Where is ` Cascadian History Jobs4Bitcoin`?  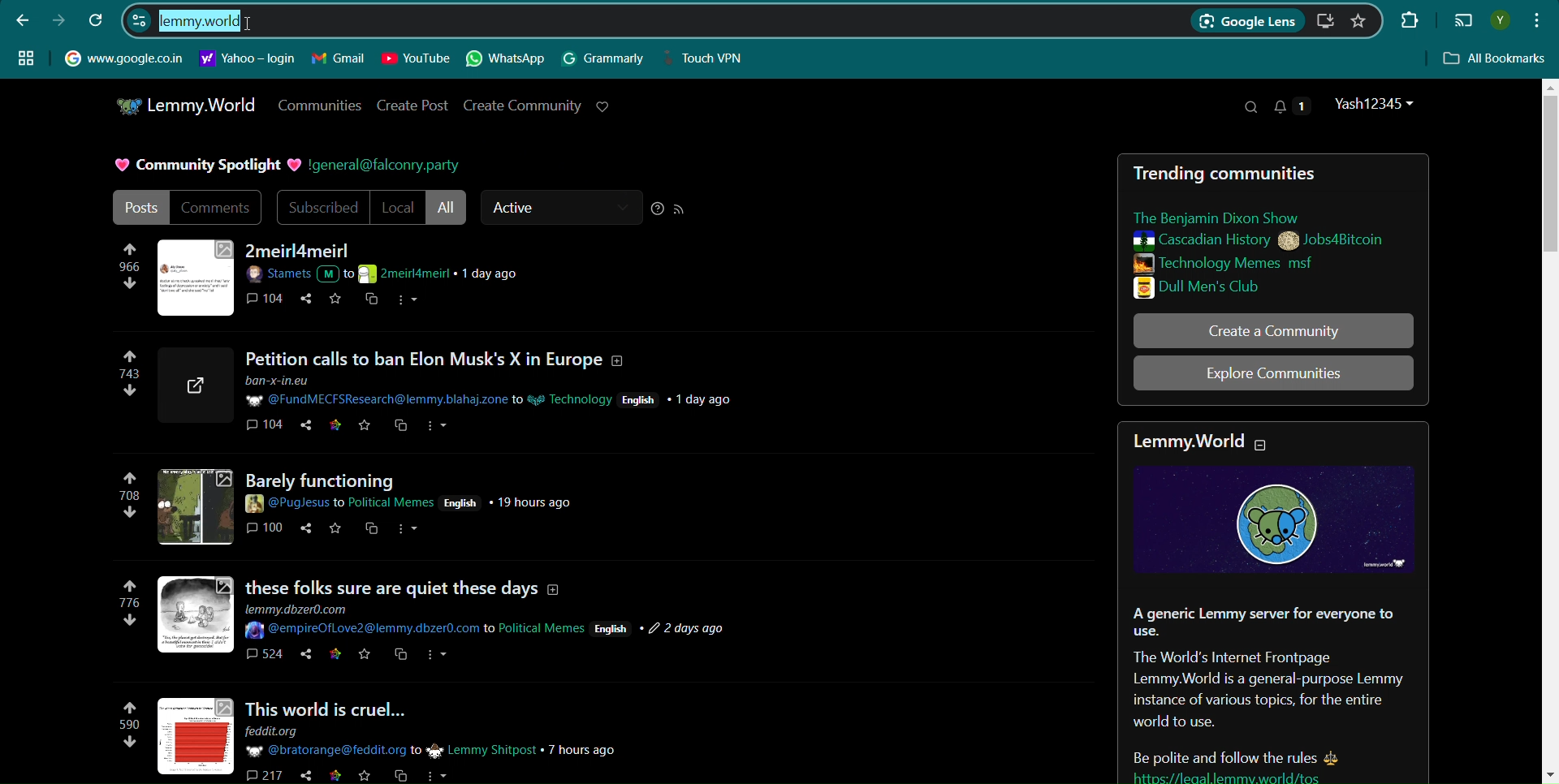  Cascadian History Jobs4Bitcoin is located at coordinates (1257, 241).